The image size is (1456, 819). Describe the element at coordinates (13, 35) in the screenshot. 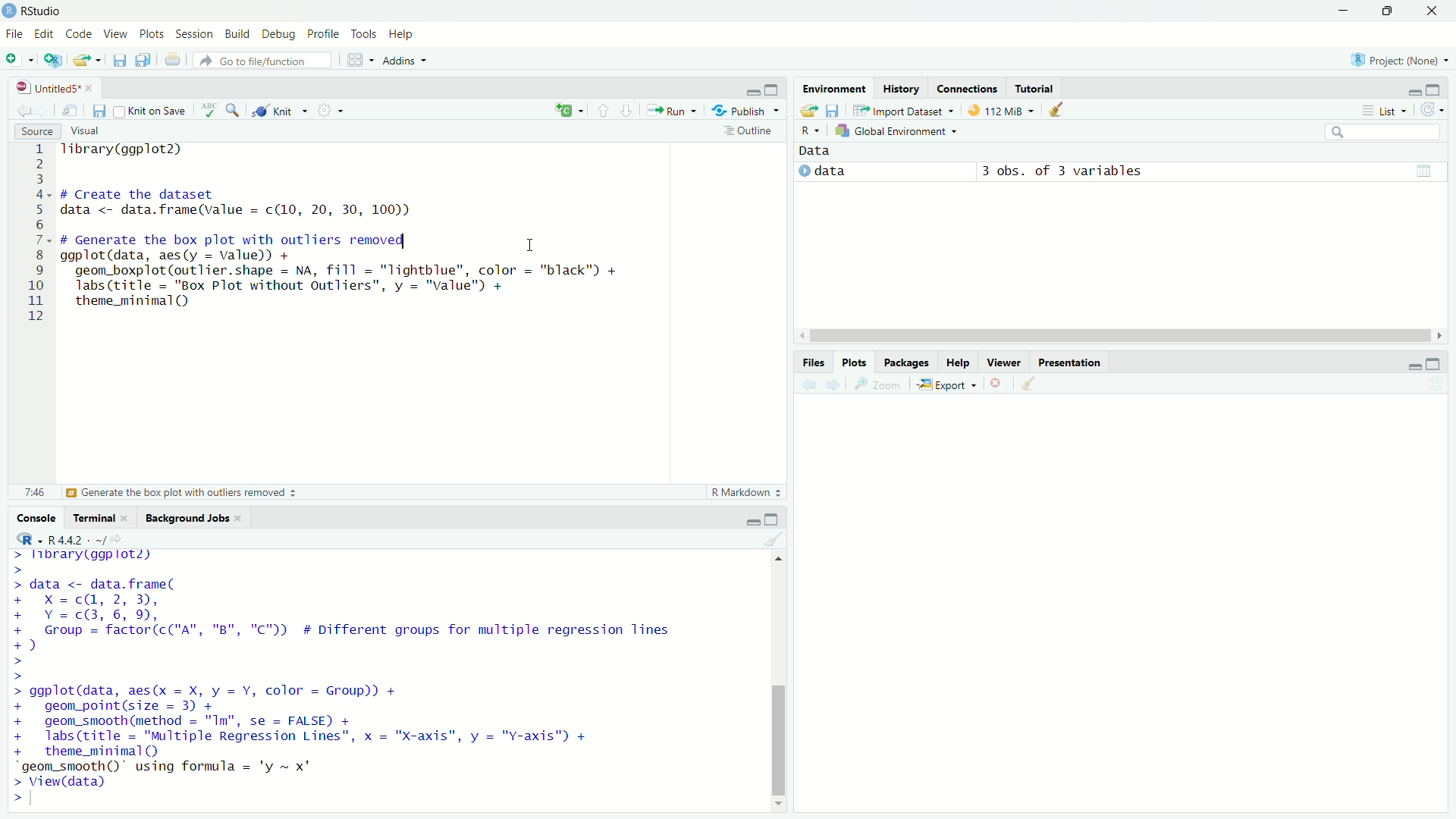

I see `File` at that location.